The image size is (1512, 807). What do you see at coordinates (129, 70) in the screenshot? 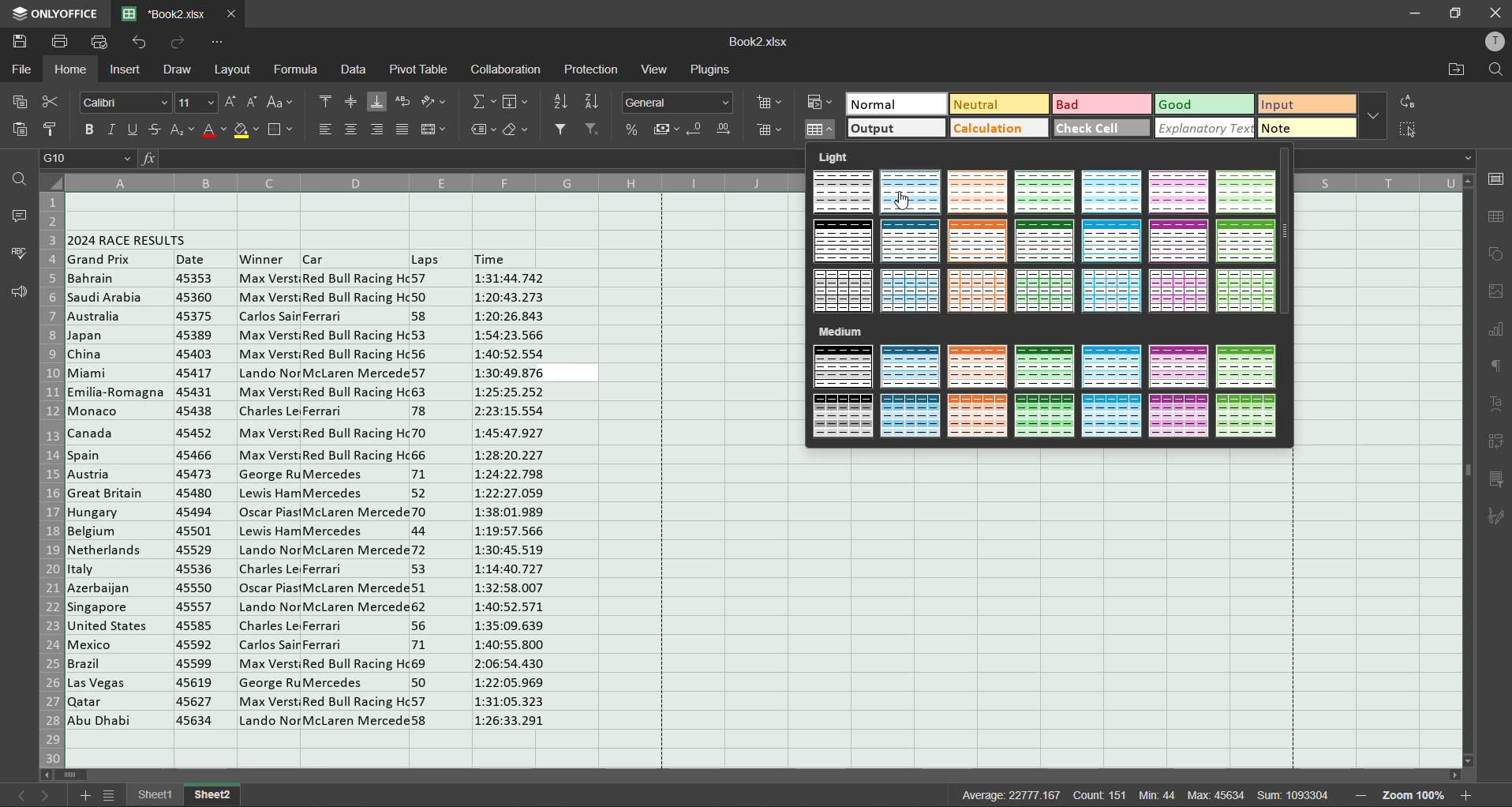
I see `insert` at bounding box center [129, 70].